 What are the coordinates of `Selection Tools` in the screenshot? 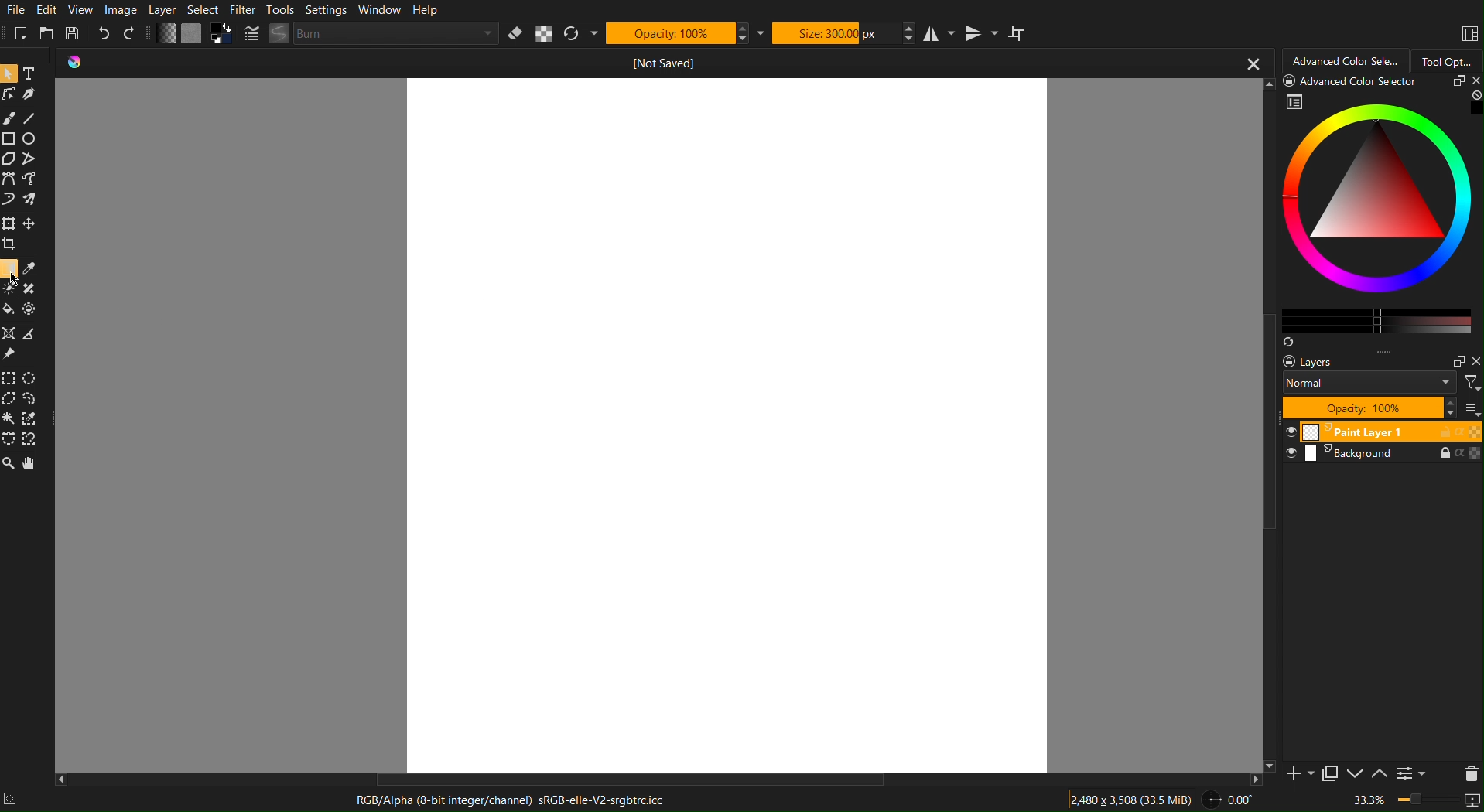 It's located at (26, 407).